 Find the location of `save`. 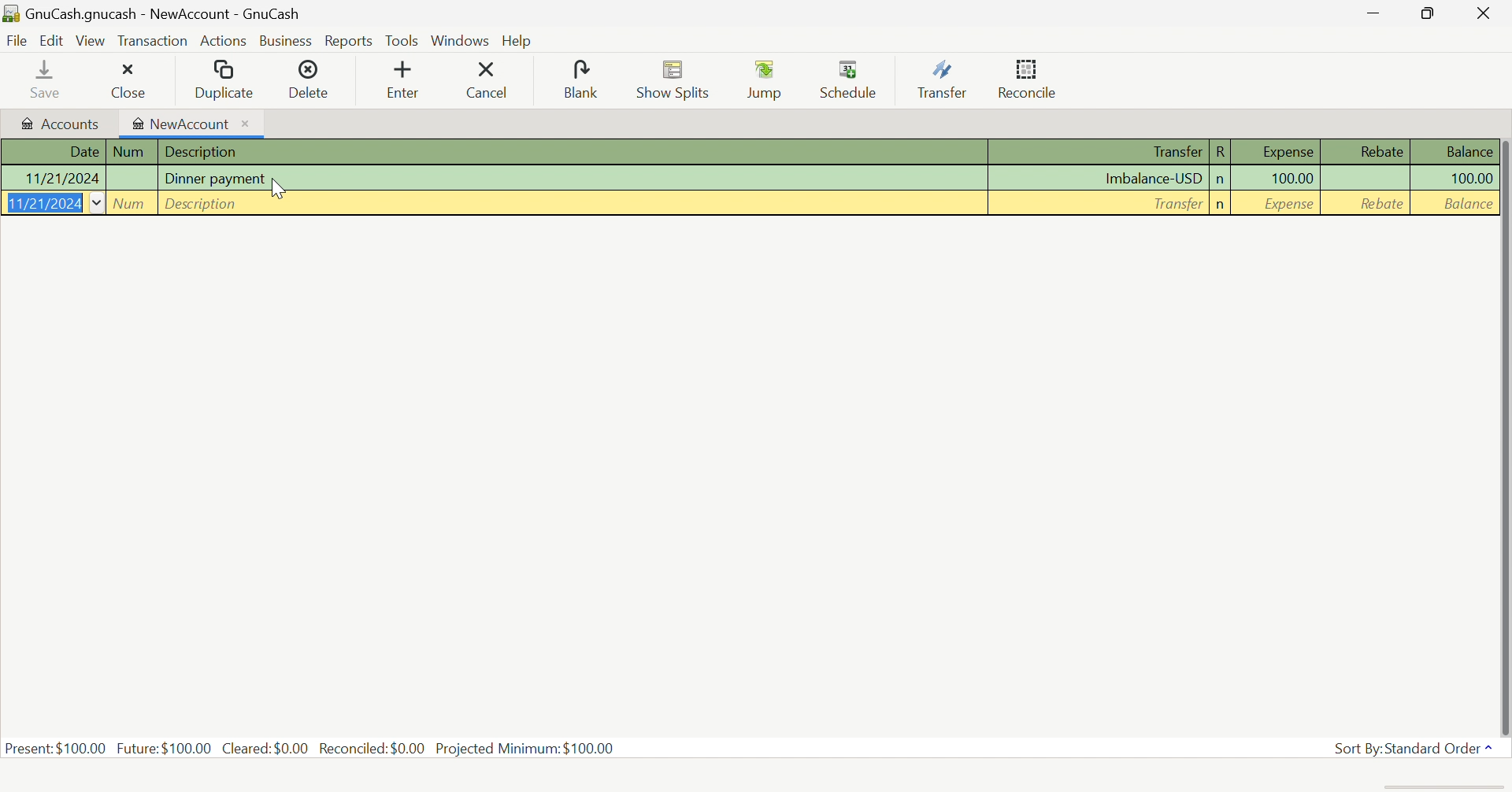

save is located at coordinates (50, 80).